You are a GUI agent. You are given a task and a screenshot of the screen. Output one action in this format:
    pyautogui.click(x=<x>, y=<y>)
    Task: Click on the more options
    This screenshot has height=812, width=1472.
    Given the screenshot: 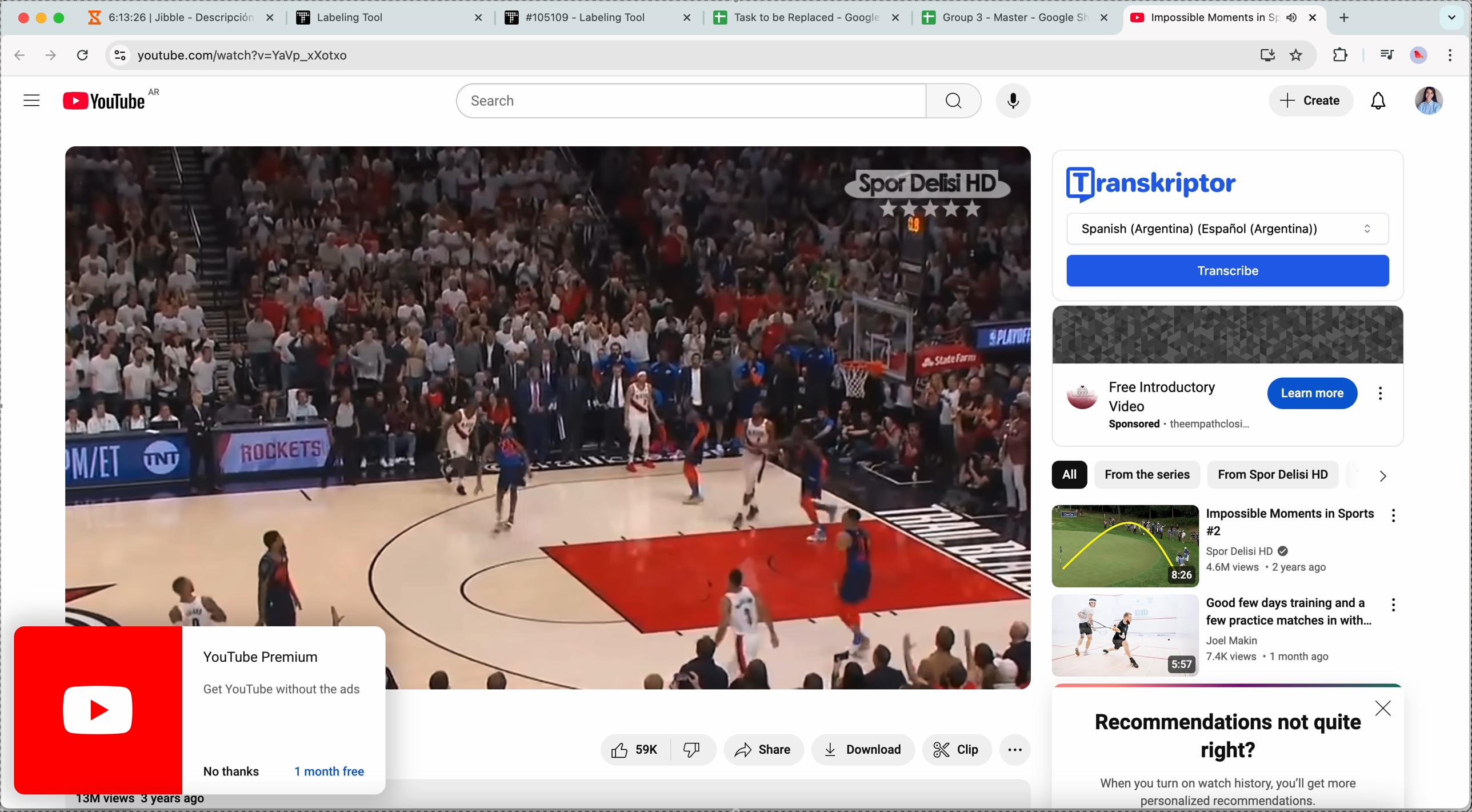 What is the action you would take?
    pyautogui.click(x=31, y=101)
    